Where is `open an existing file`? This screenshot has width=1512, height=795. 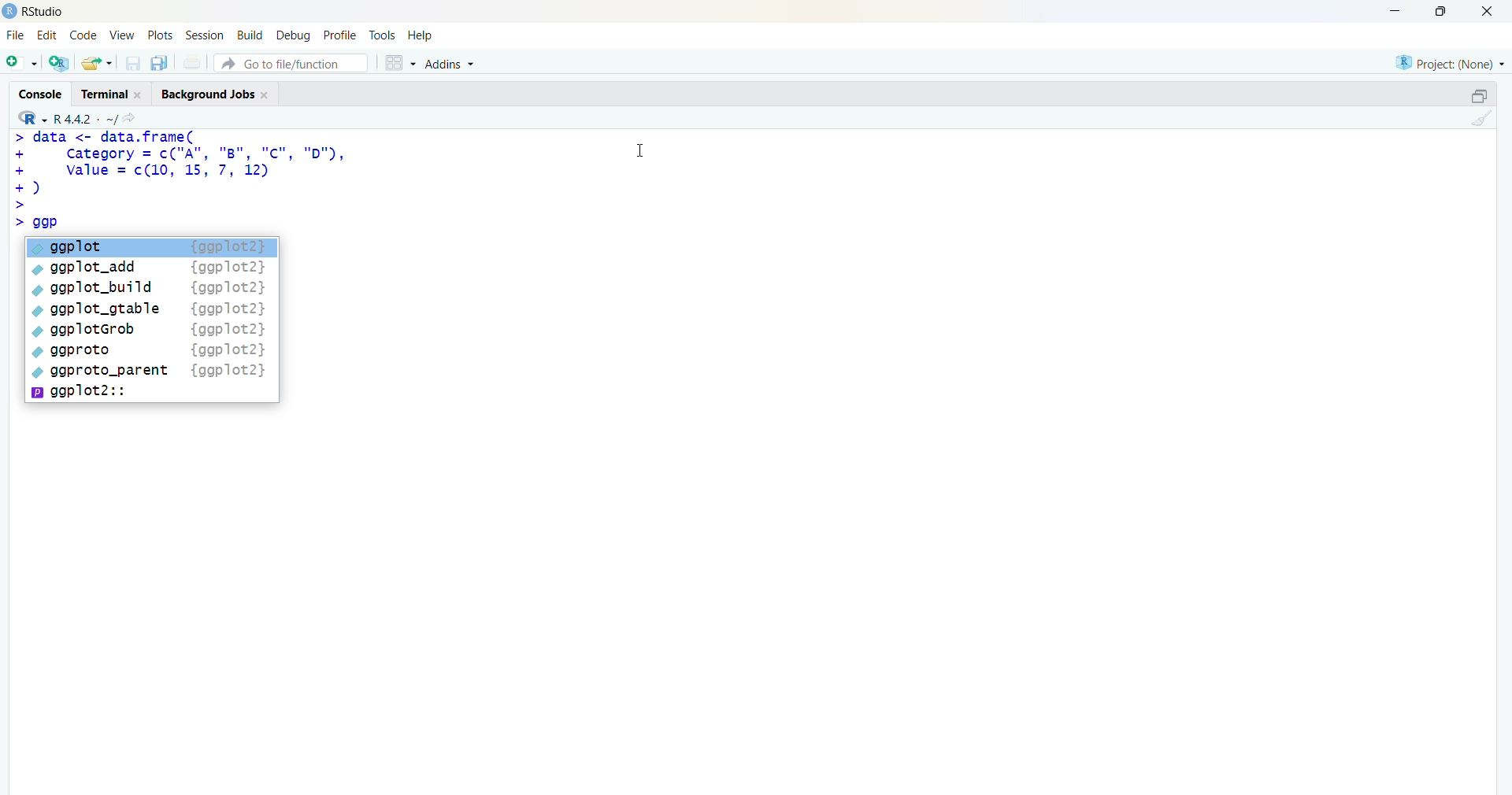 open an existing file is located at coordinates (96, 62).